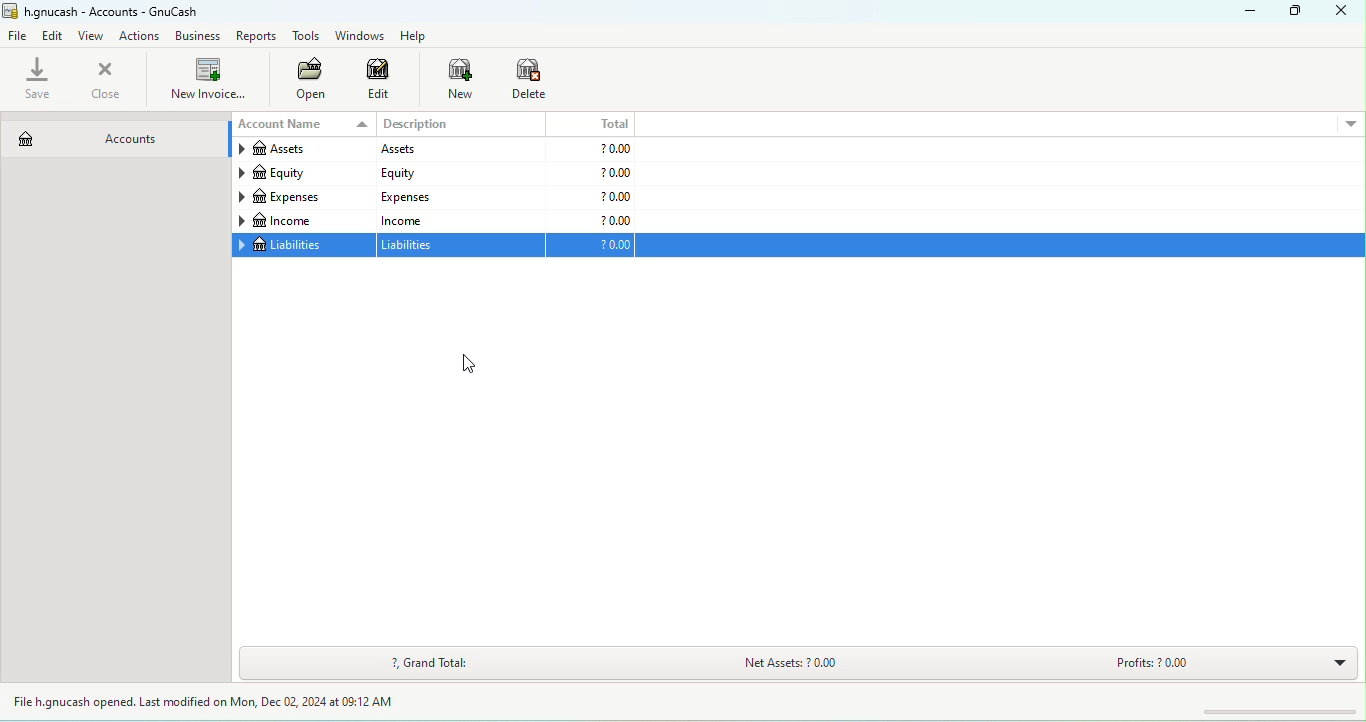 The width and height of the screenshot is (1366, 722). I want to click on ?0.00, so click(958, 246).